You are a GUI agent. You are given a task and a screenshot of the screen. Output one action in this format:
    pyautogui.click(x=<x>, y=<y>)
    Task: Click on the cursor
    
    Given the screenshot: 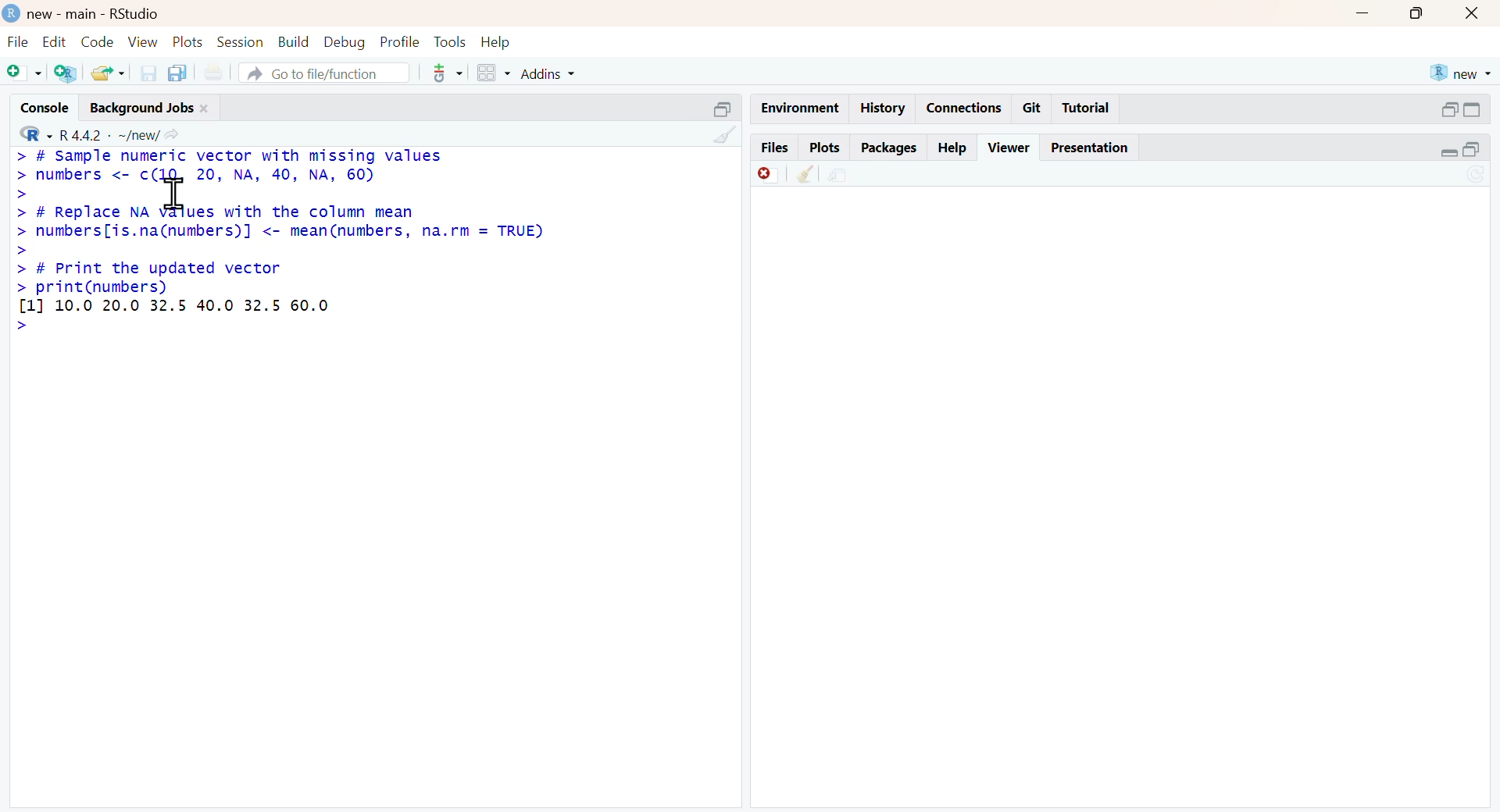 What is the action you would take?
    pyautogui.click(x=175, y=192)
    